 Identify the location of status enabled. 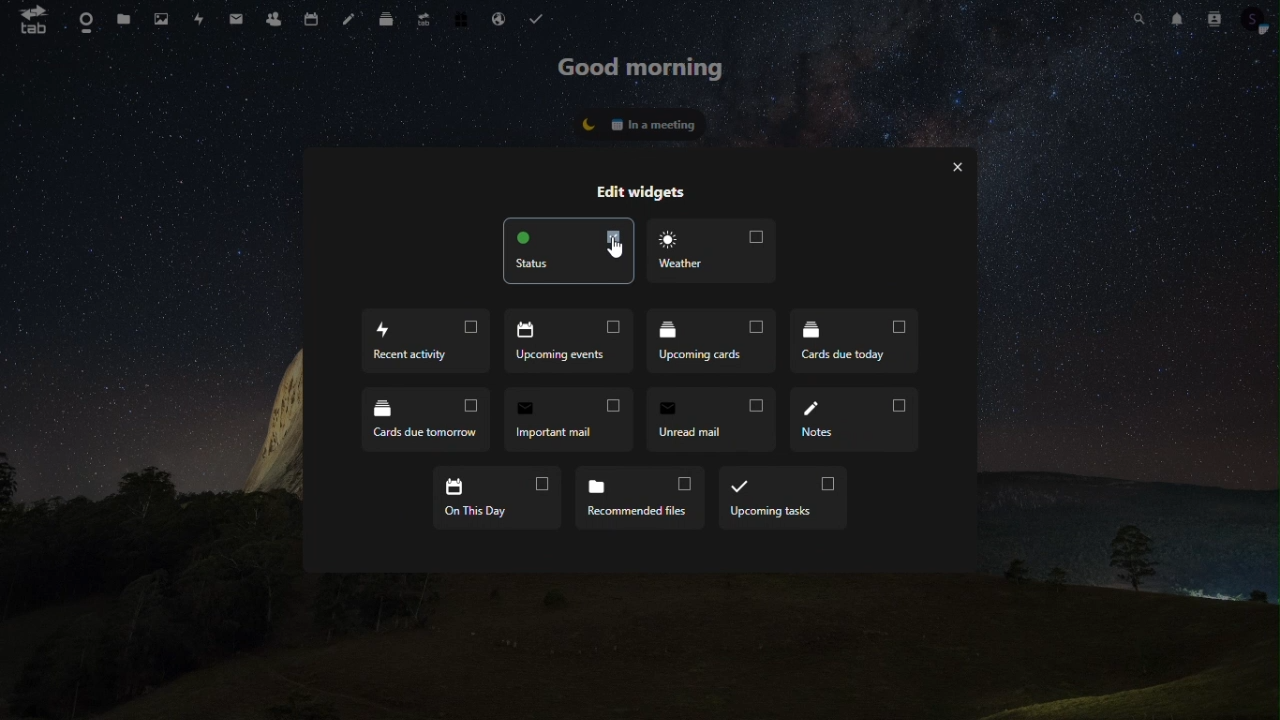
(566, 252).